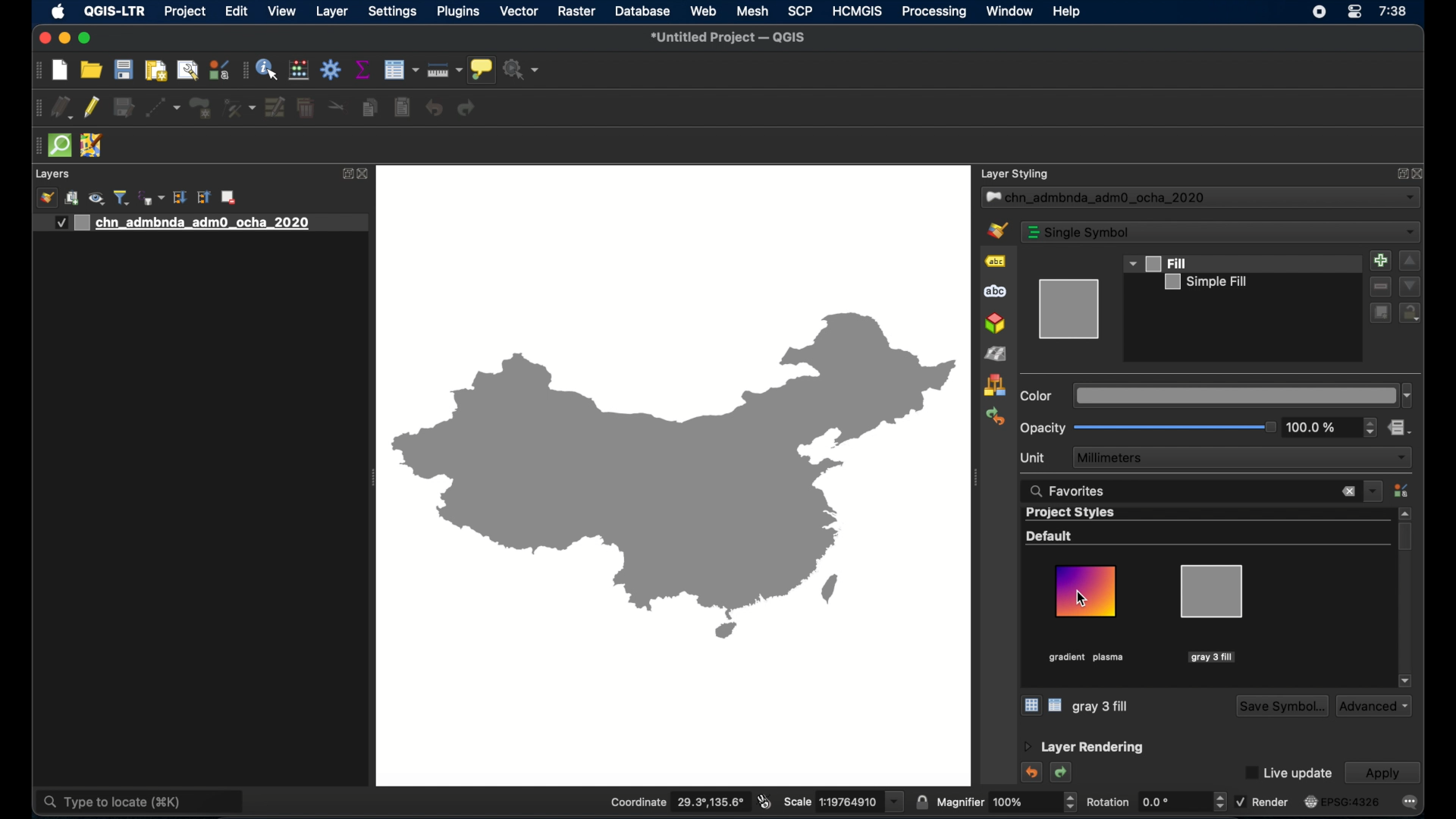 The image size is (1456, 819). I want to click on filter legend, so click(122, 197).